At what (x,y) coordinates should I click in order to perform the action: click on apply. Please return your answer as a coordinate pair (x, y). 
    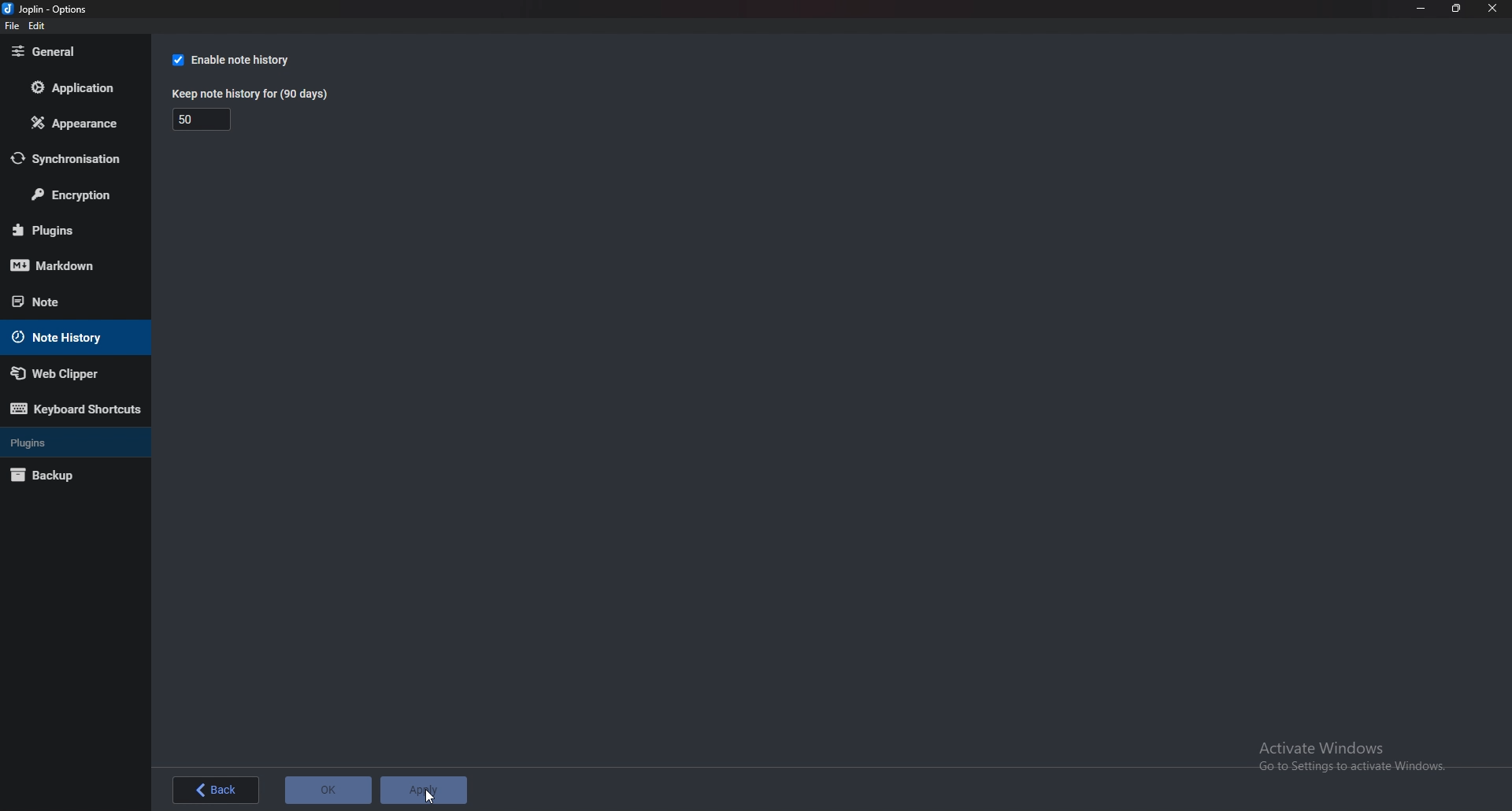
    Looking at the image, I should click on (424, 790).